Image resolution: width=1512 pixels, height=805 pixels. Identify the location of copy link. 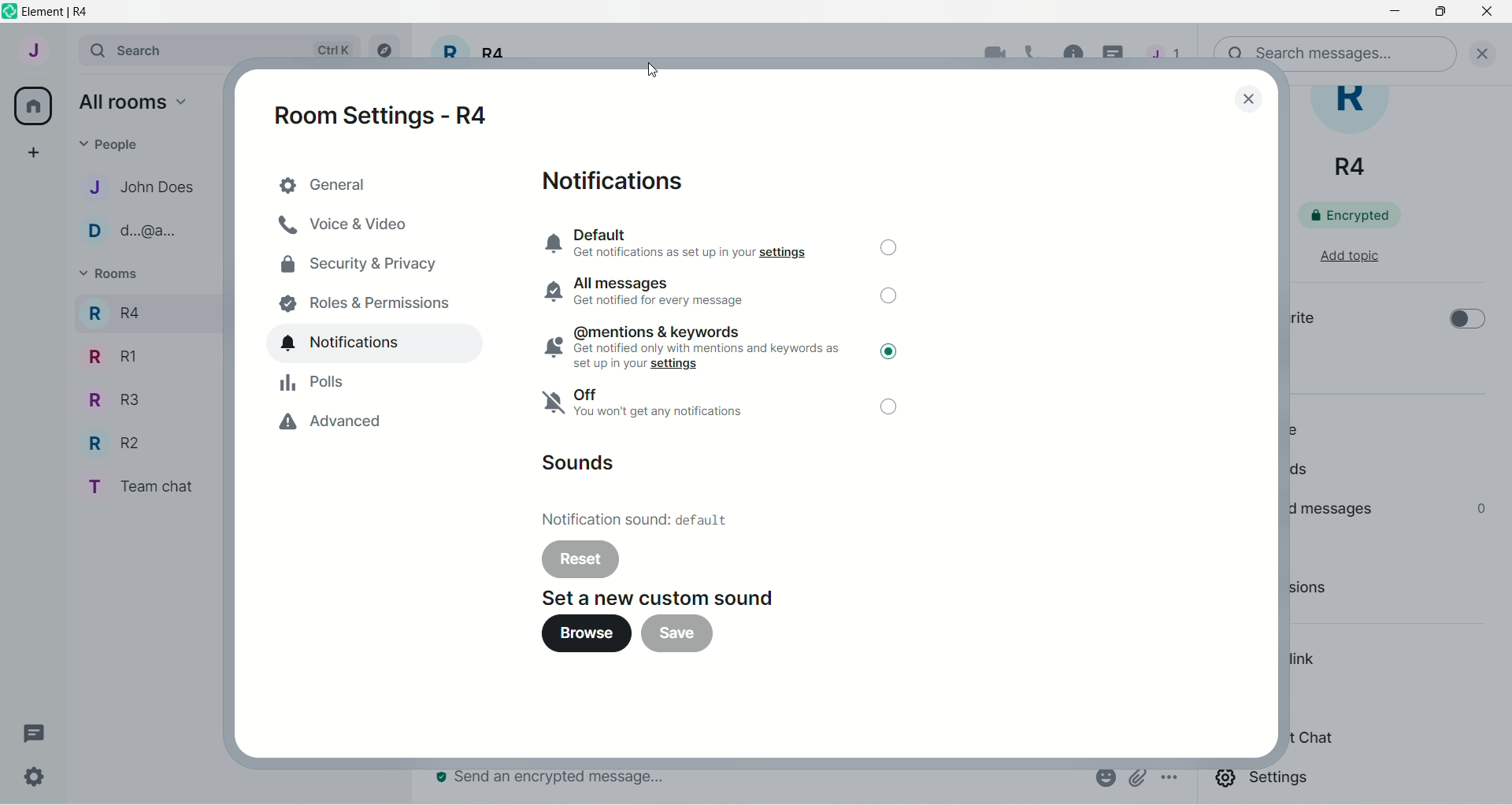
(1305, 662).